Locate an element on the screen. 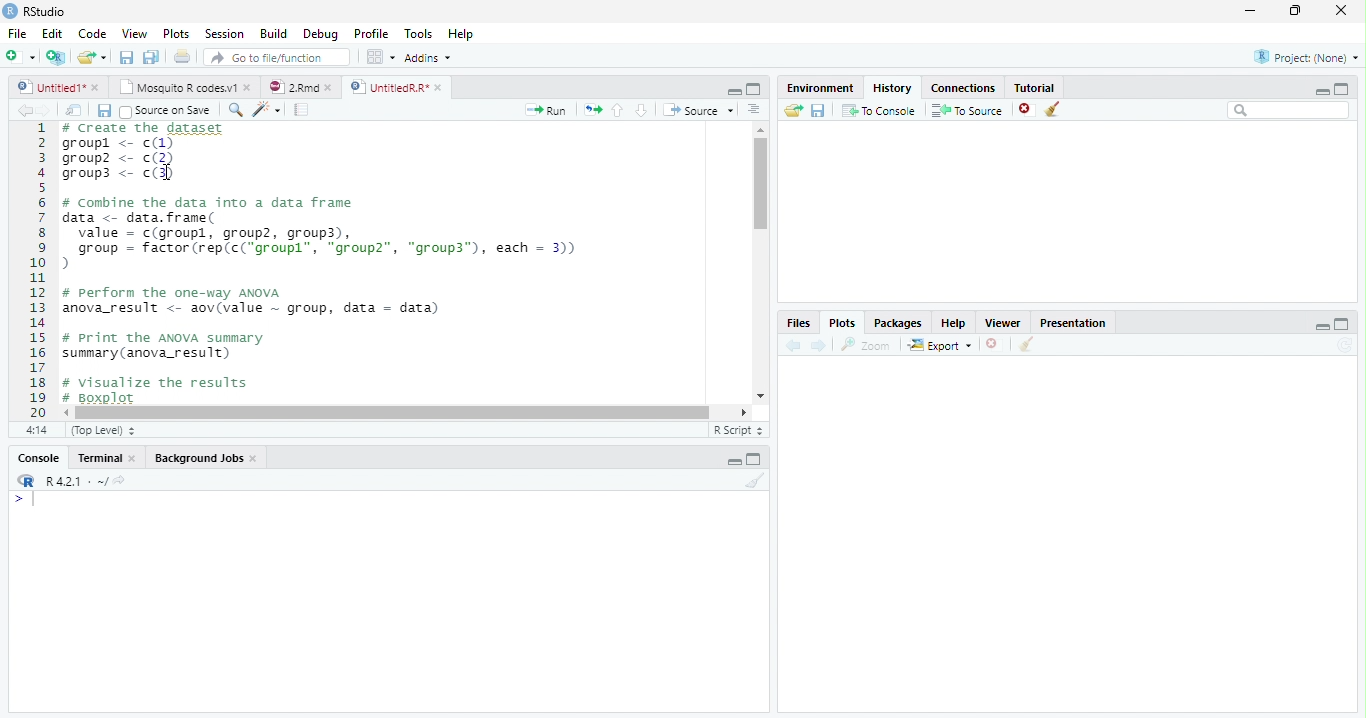 This screenshot has height=718, width=1366. File is located at coordinates (15, 31).